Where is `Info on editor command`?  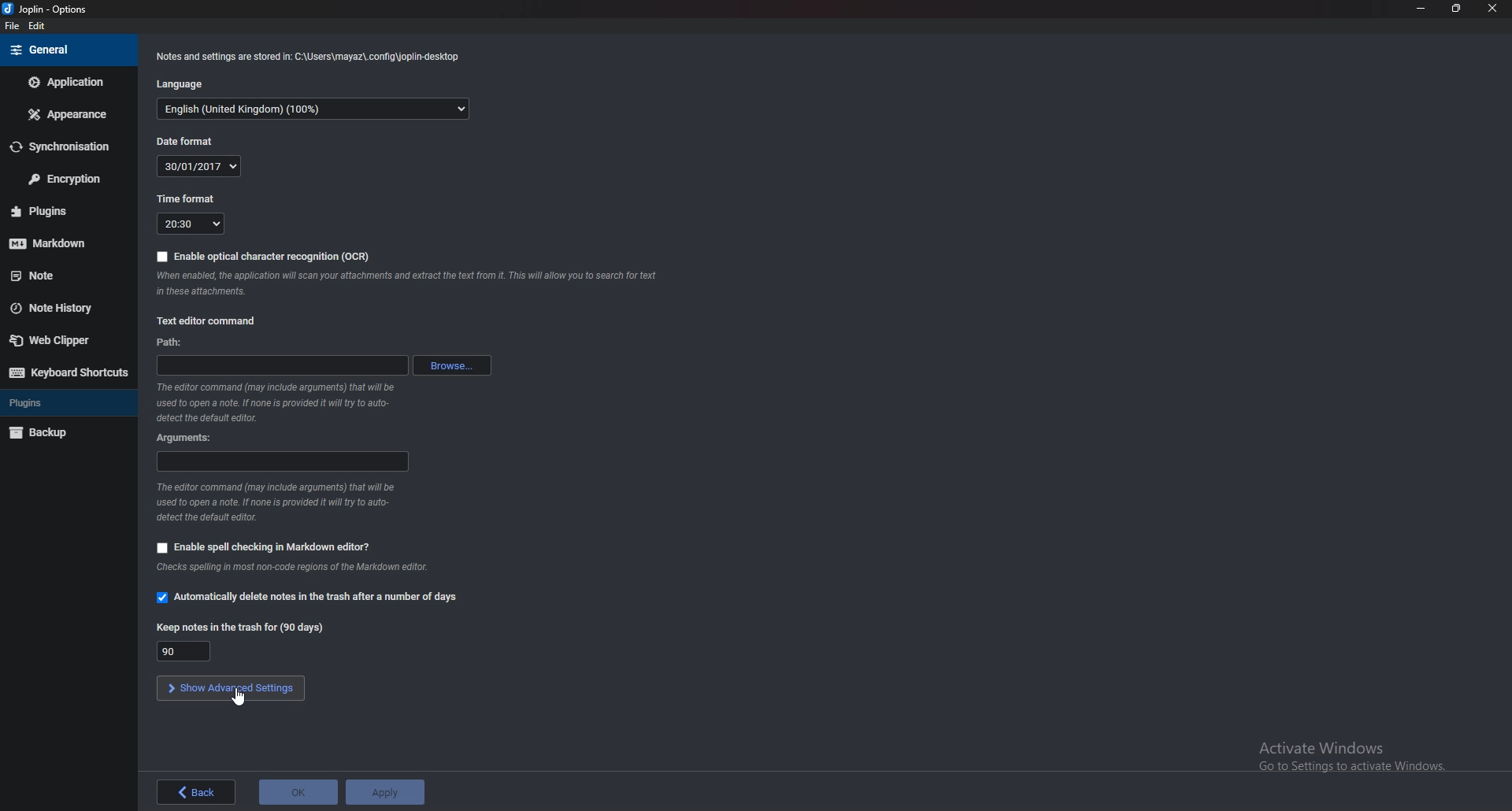 Info on editor command is located at coordinates (280, 401).